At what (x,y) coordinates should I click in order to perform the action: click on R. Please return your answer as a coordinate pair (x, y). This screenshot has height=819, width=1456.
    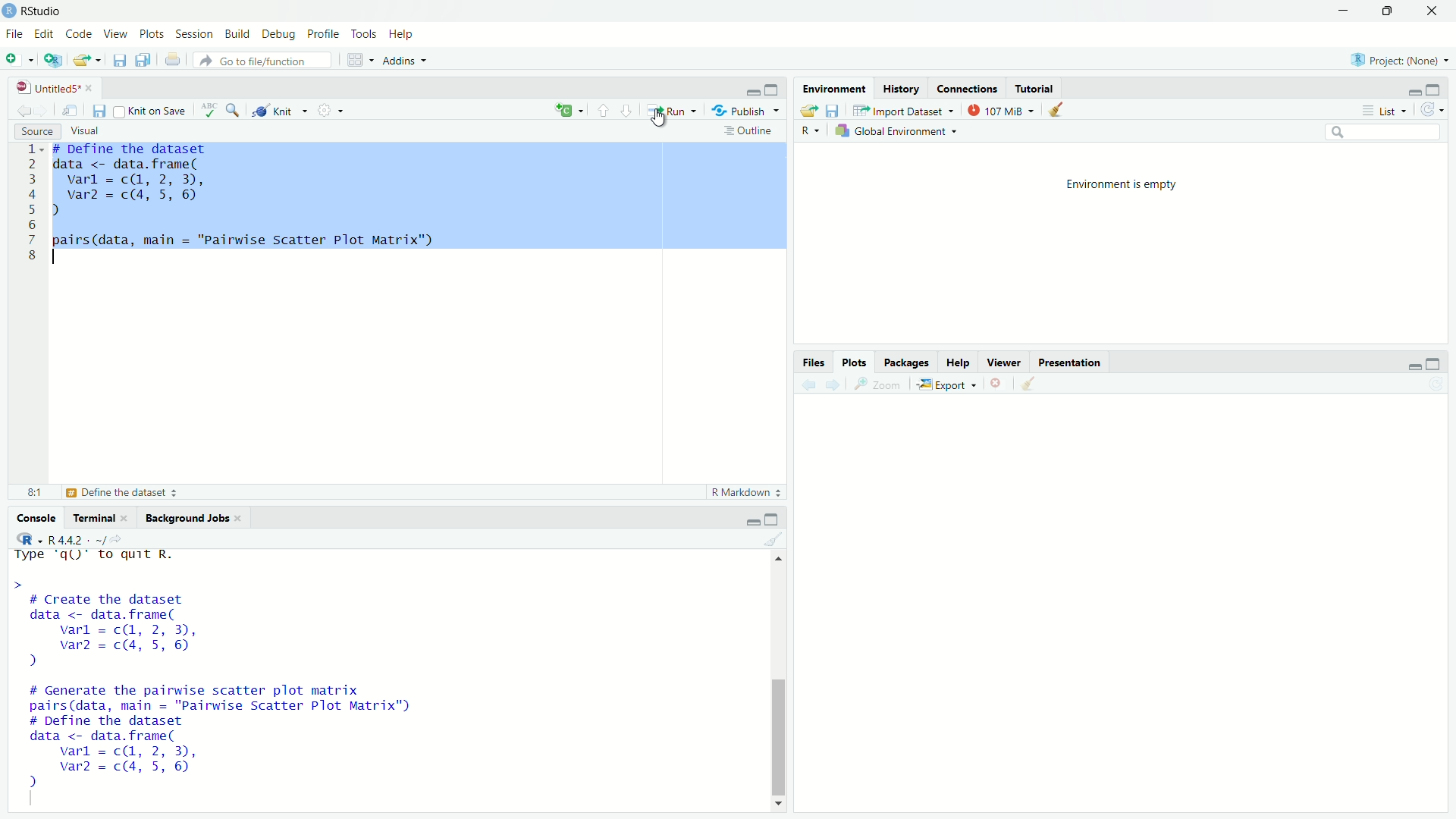
    Looking at the image, I should click on (809, 131).